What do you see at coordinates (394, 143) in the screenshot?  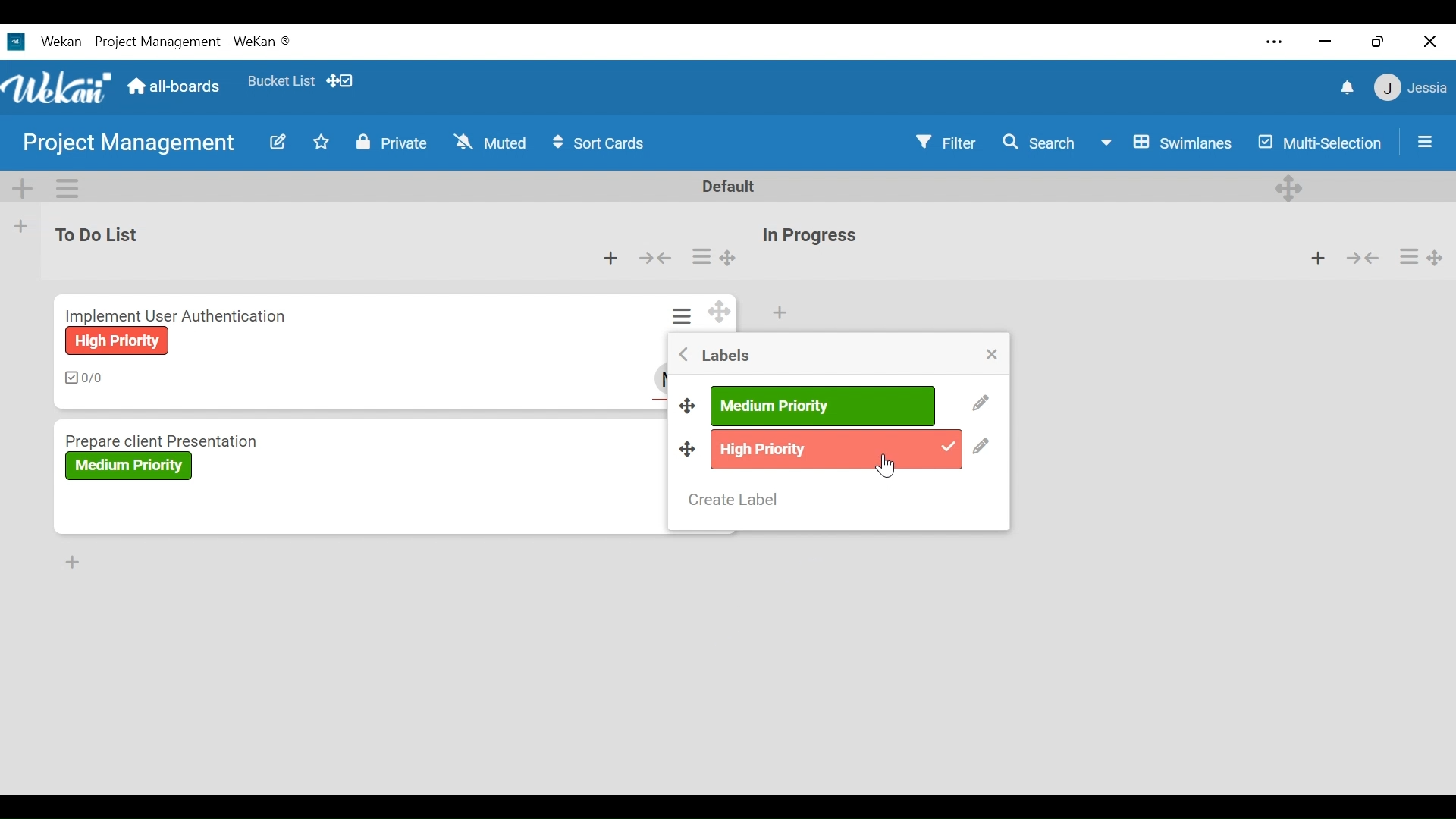 I see `Private` at bounding box center [394, 143].